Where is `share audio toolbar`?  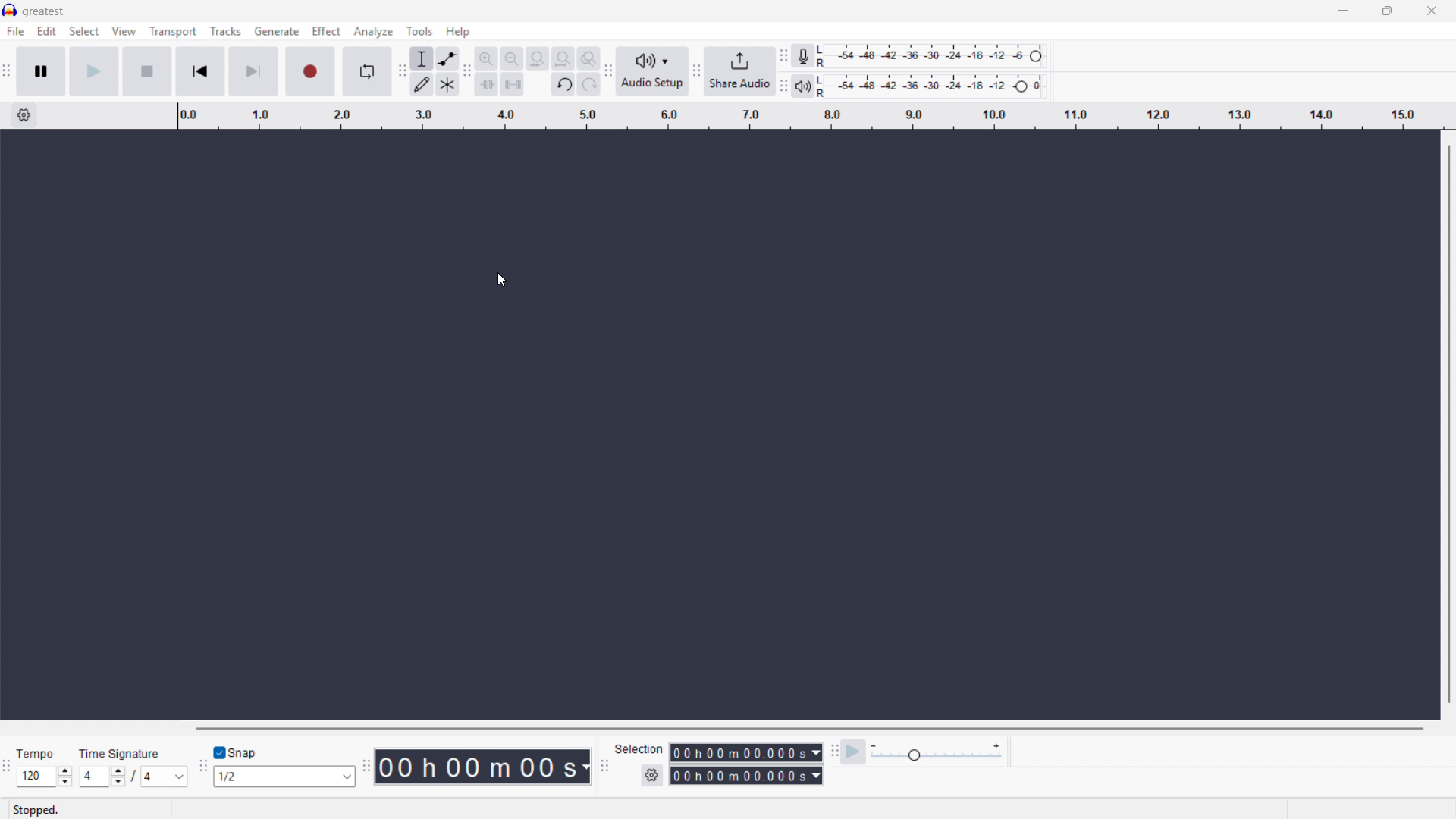 share audio toolbar is located at coordinates (696, 73).